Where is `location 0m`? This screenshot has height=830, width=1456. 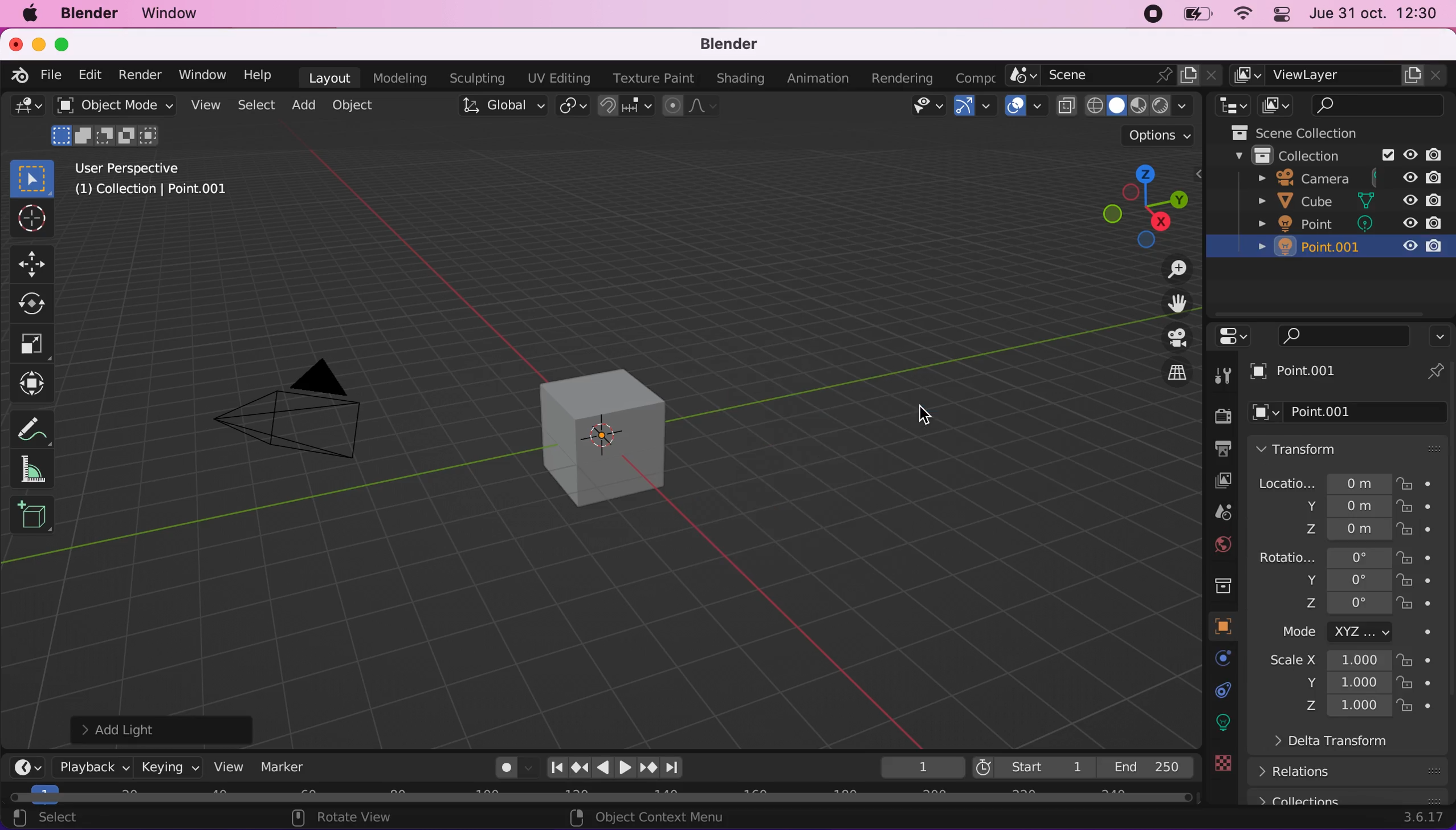 location 0m is located at coordinates (1323, 482).